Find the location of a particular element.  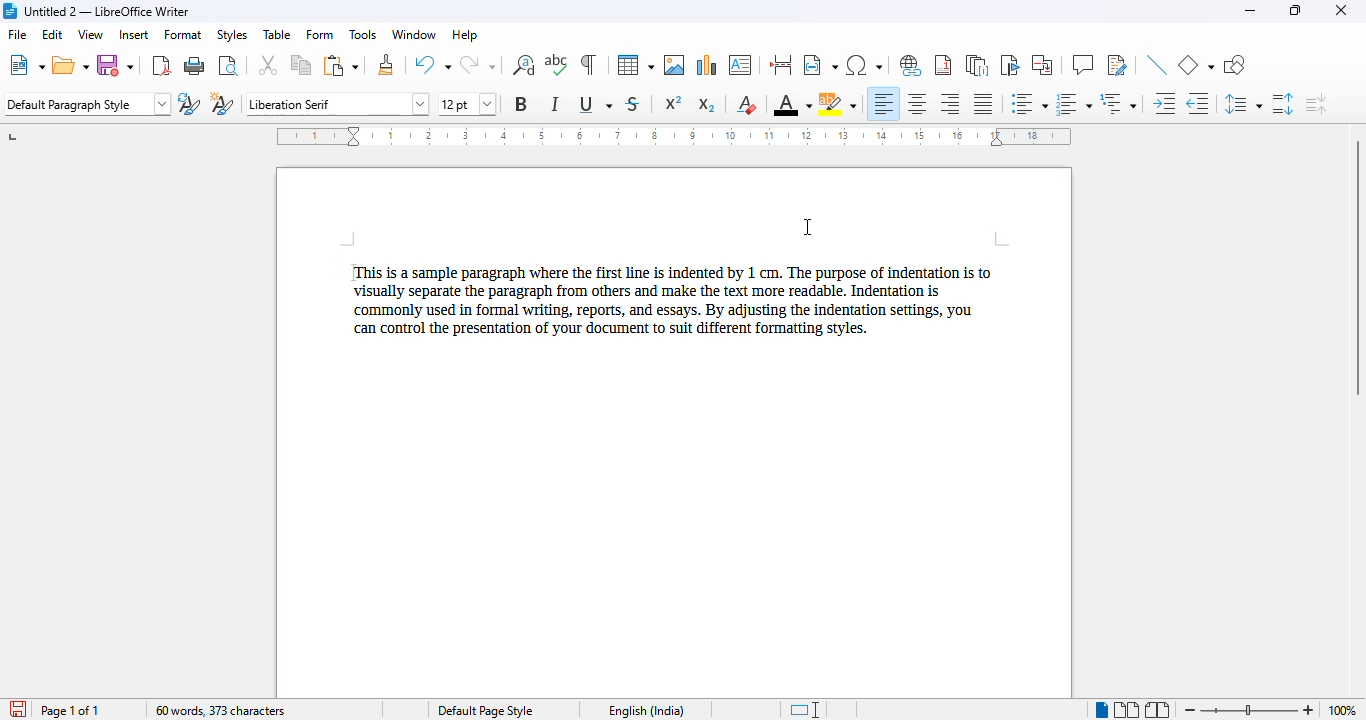

align left is located at coordinates (882, 104).